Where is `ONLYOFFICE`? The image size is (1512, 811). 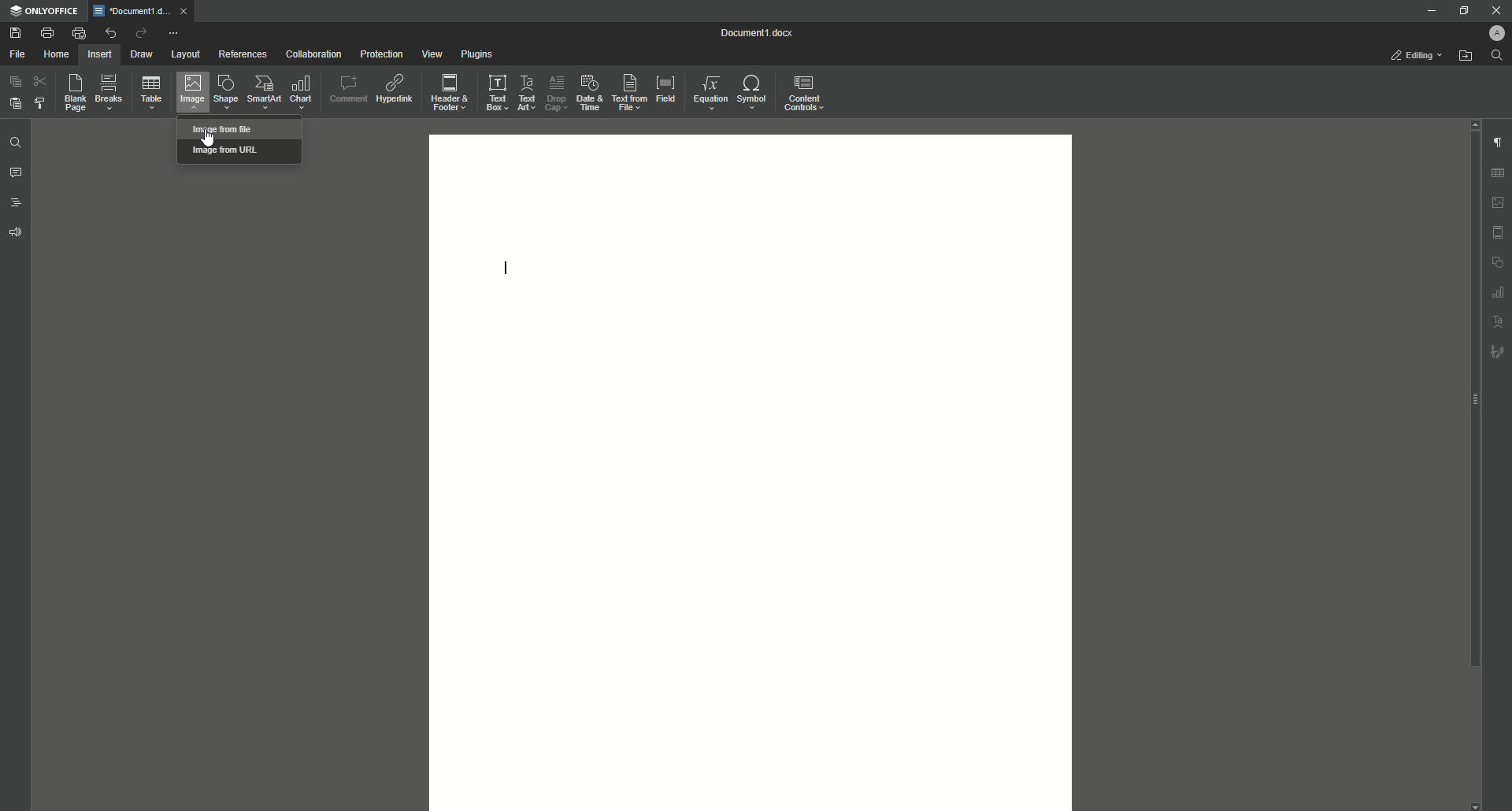
ONLYOFFICE is located at coordinates (44, 10).